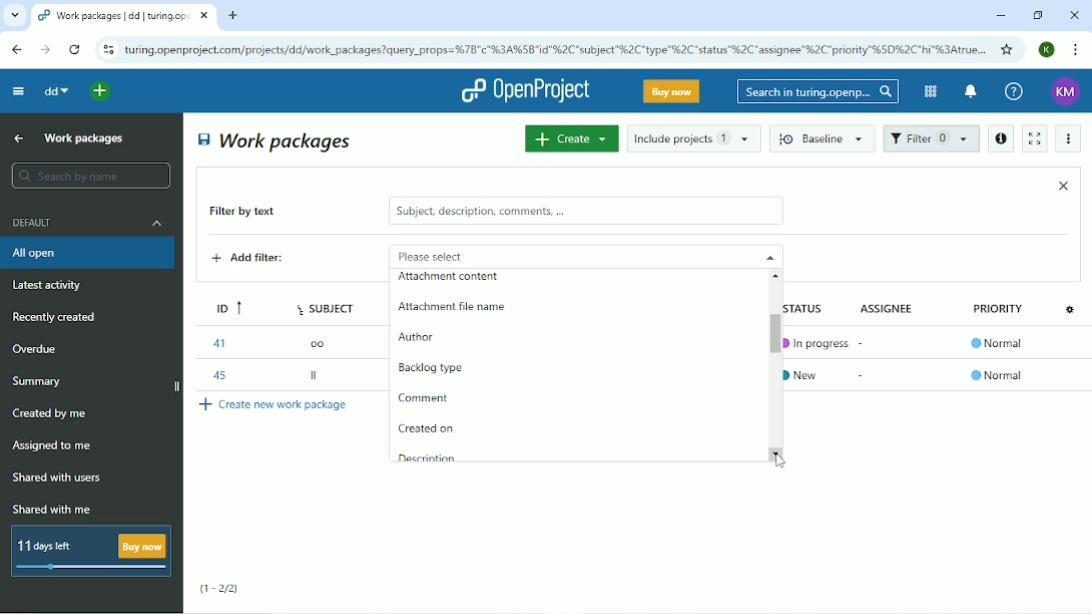 This screenshot has width=1092, height=614. What do you see at coordinates (55, 91) in the screenshot?
I see `dd` at bounding box center [55, 91].